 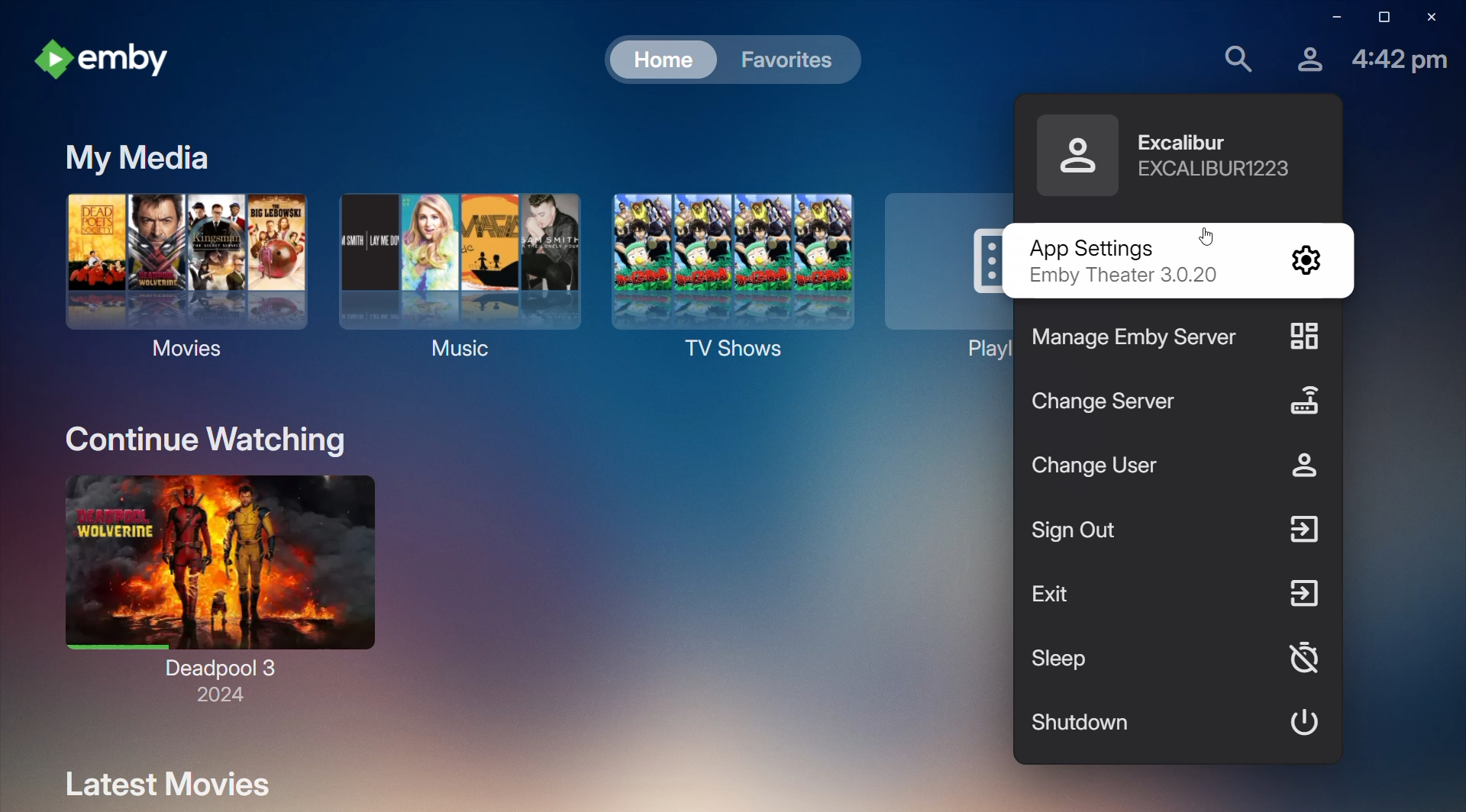 I want to click on Playlists, so click(x=942, y=275).